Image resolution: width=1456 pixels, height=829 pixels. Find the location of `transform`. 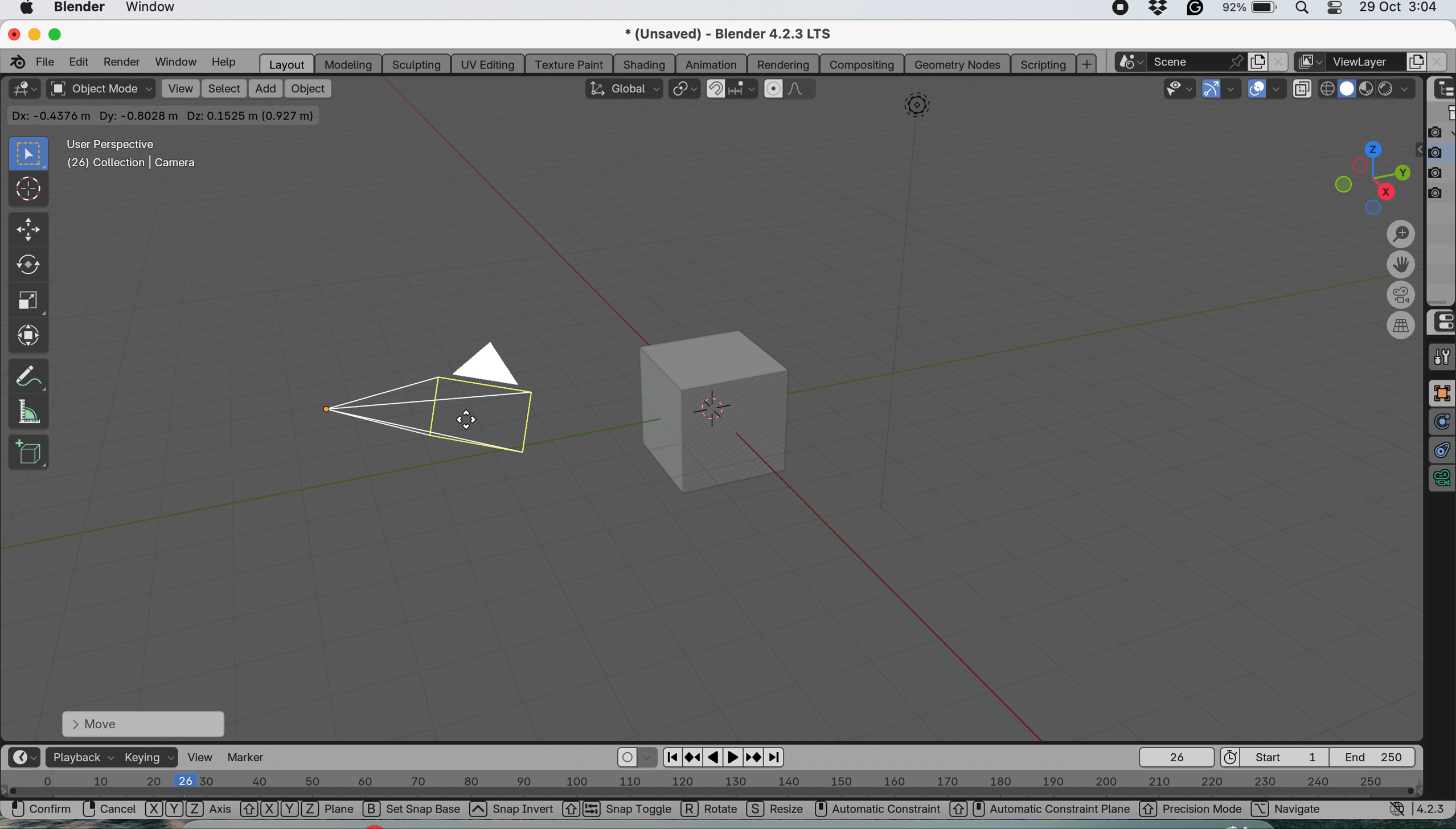

transform is located at coordinates (31, 335).